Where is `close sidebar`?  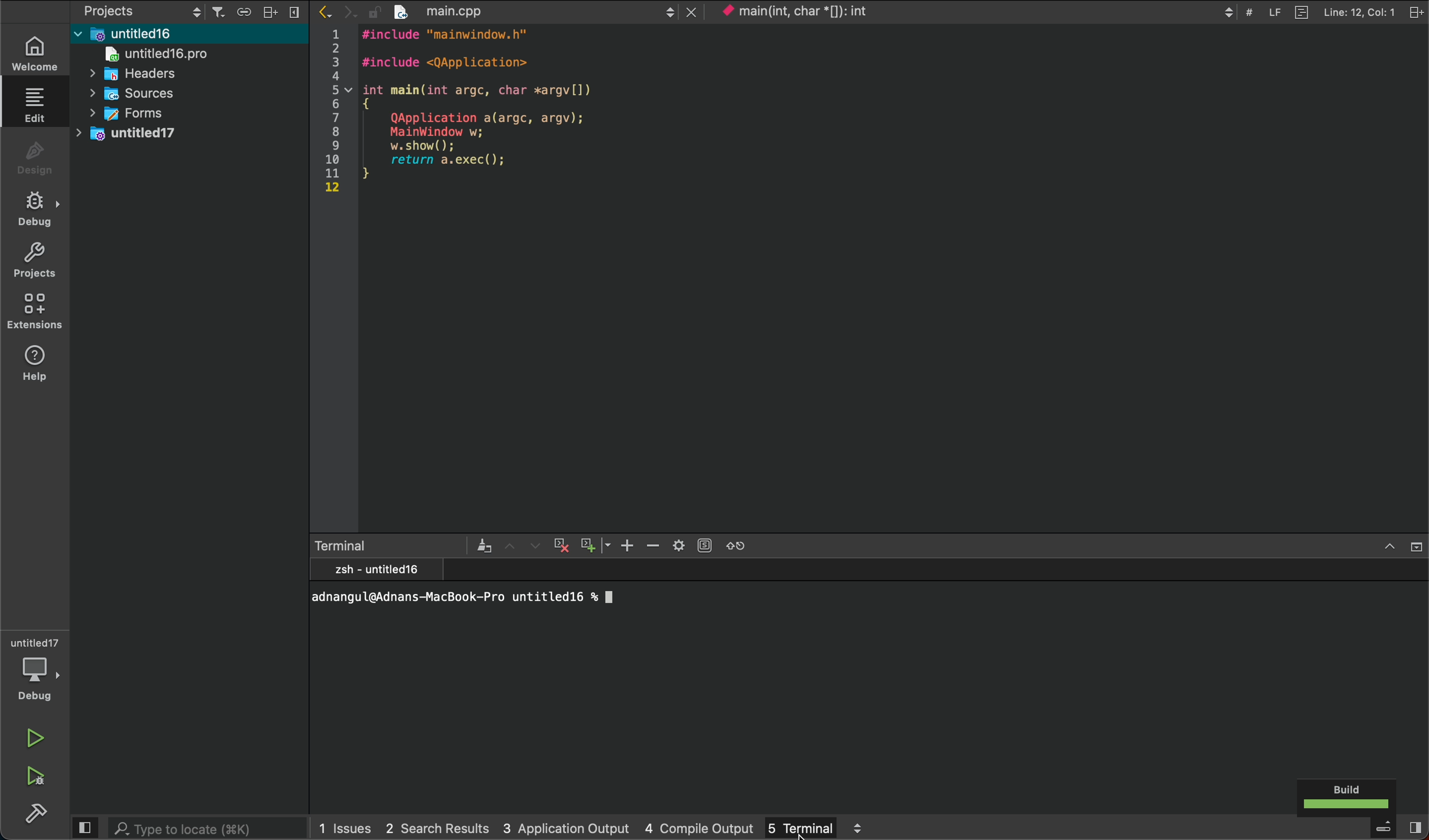 close sidebar is located at coordinates (1414, 828).